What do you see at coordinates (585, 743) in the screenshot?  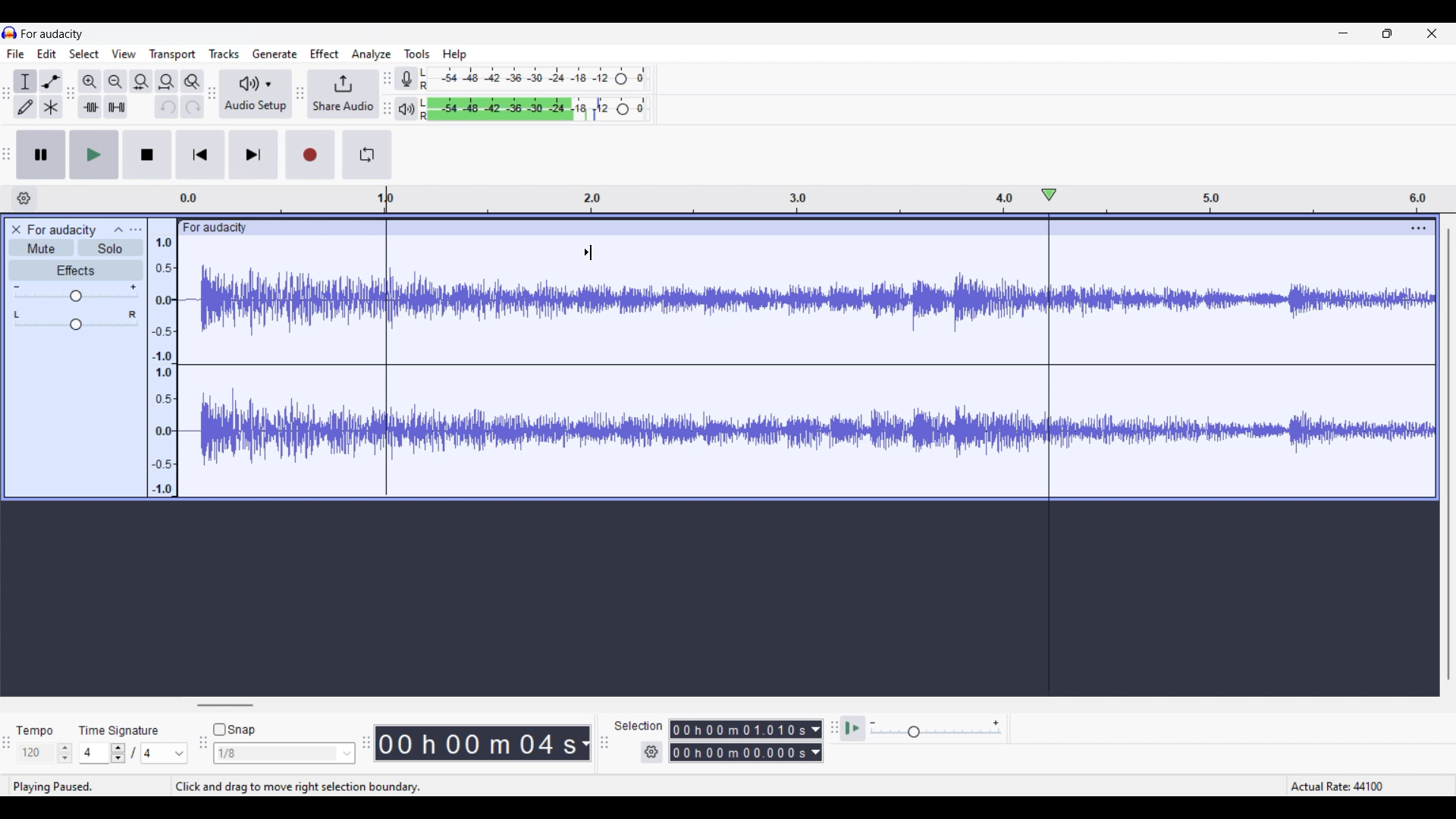 I see `Duration measurement options` at bounding box center [585, 743].